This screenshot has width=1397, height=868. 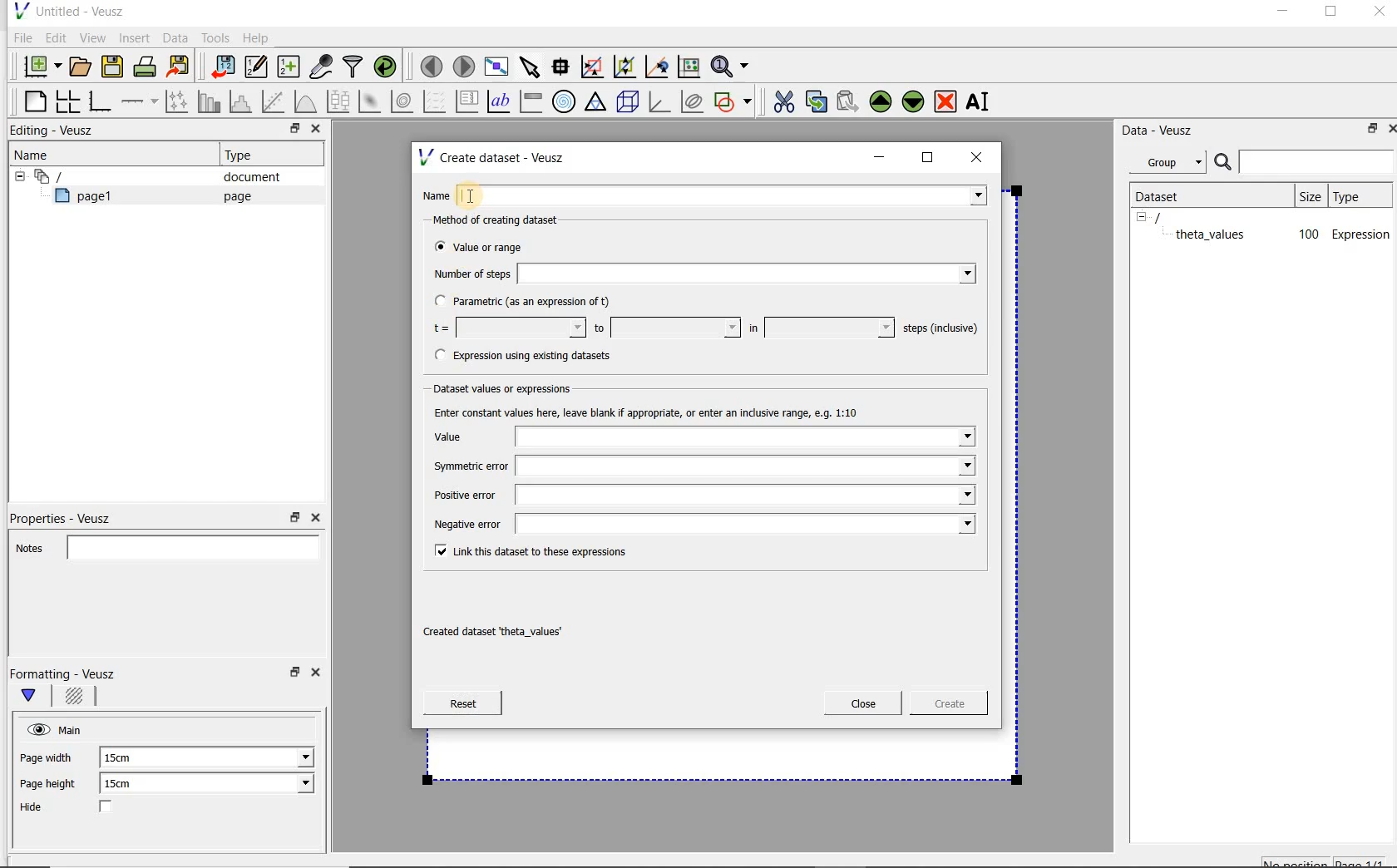 What do you see at coordinates (662, 412) in the screenshot?
I see `Enter constant values here, leave blank if appropriate, or enter an inclusive range, e.g. 1:10` at bounding box center [662, 412].